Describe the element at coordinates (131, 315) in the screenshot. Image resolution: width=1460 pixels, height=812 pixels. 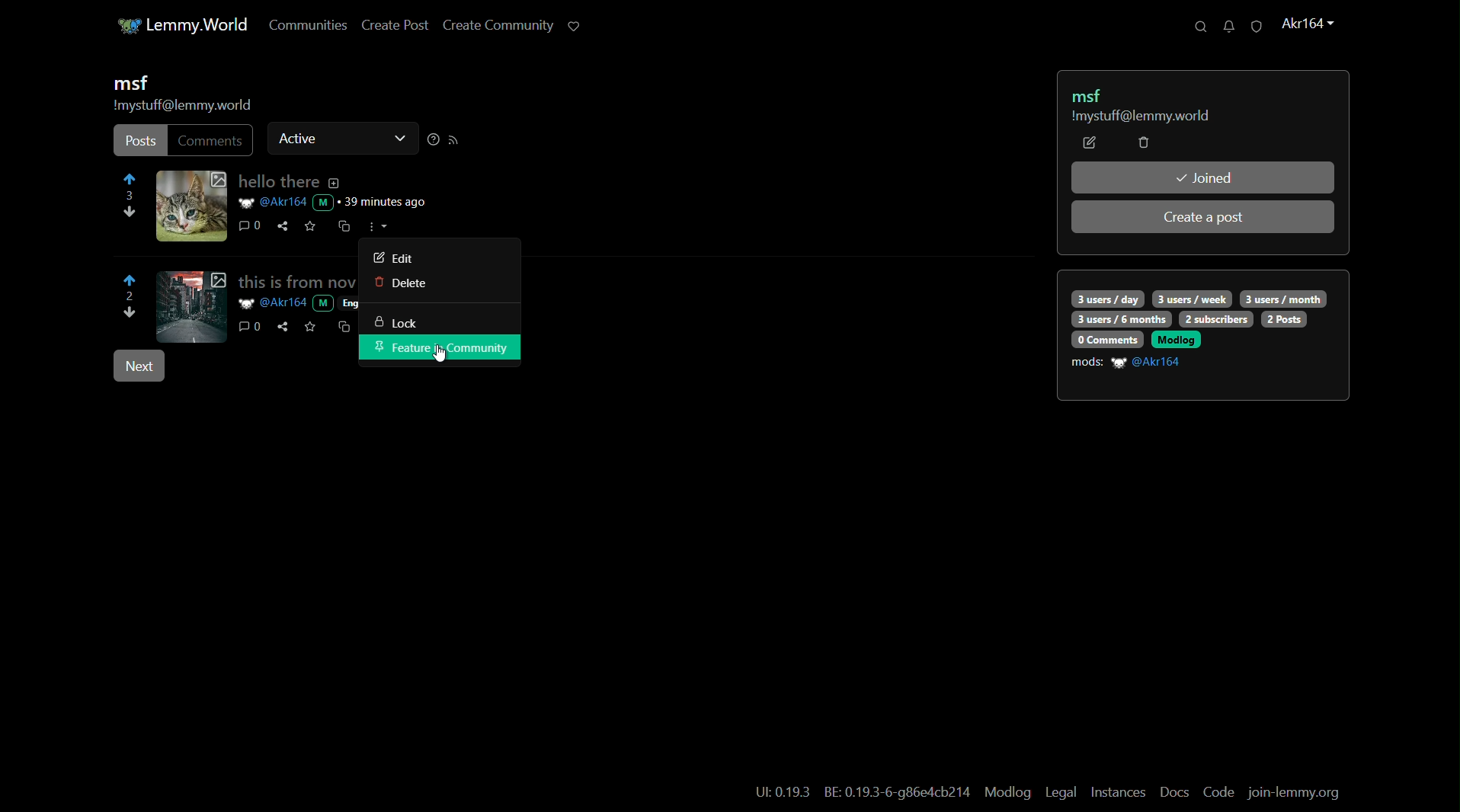
I see `downvote` at that location.